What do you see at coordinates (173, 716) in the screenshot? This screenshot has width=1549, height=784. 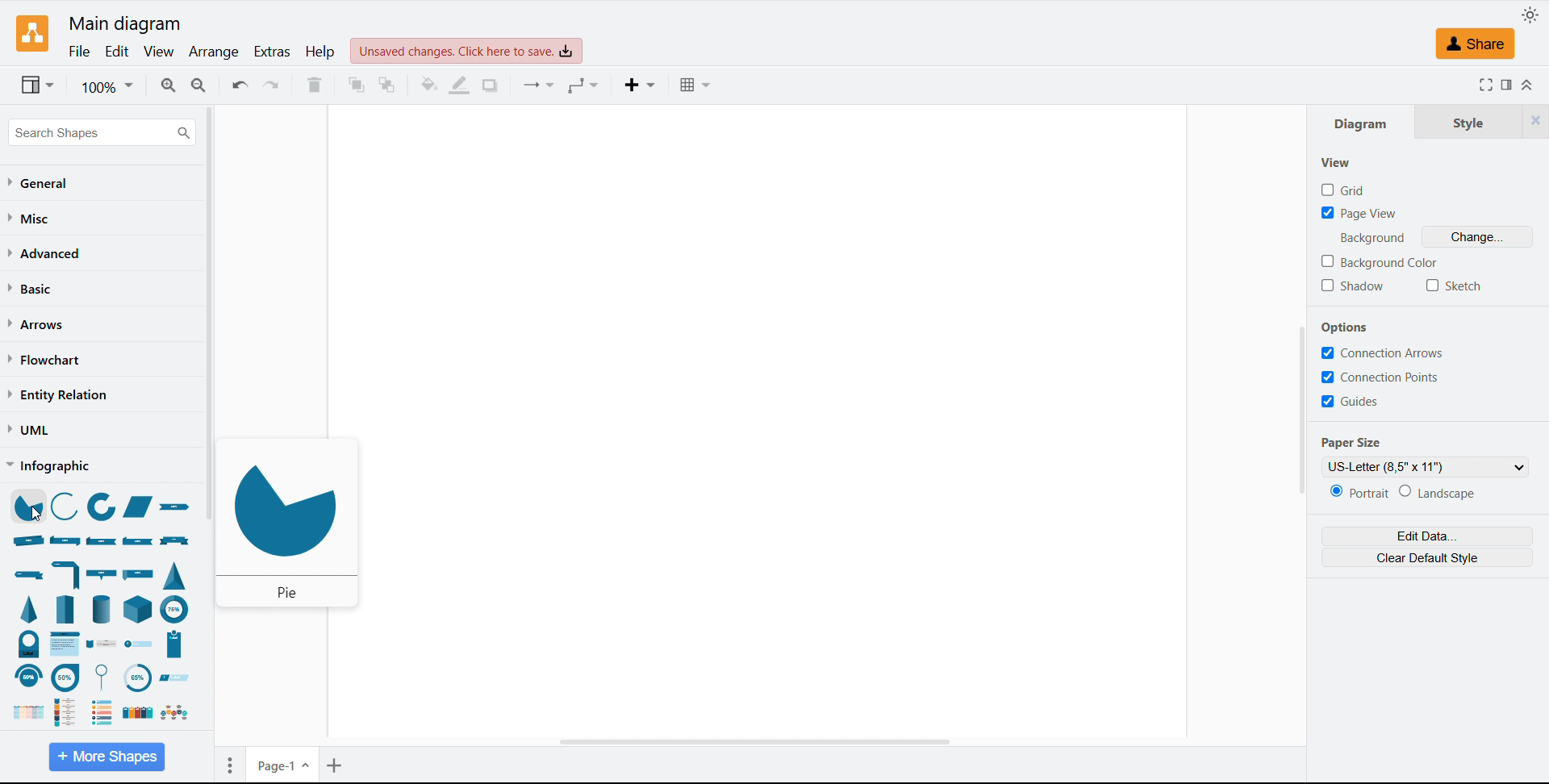 I see `roadmap horizontal` at bounding box center [173, 716].